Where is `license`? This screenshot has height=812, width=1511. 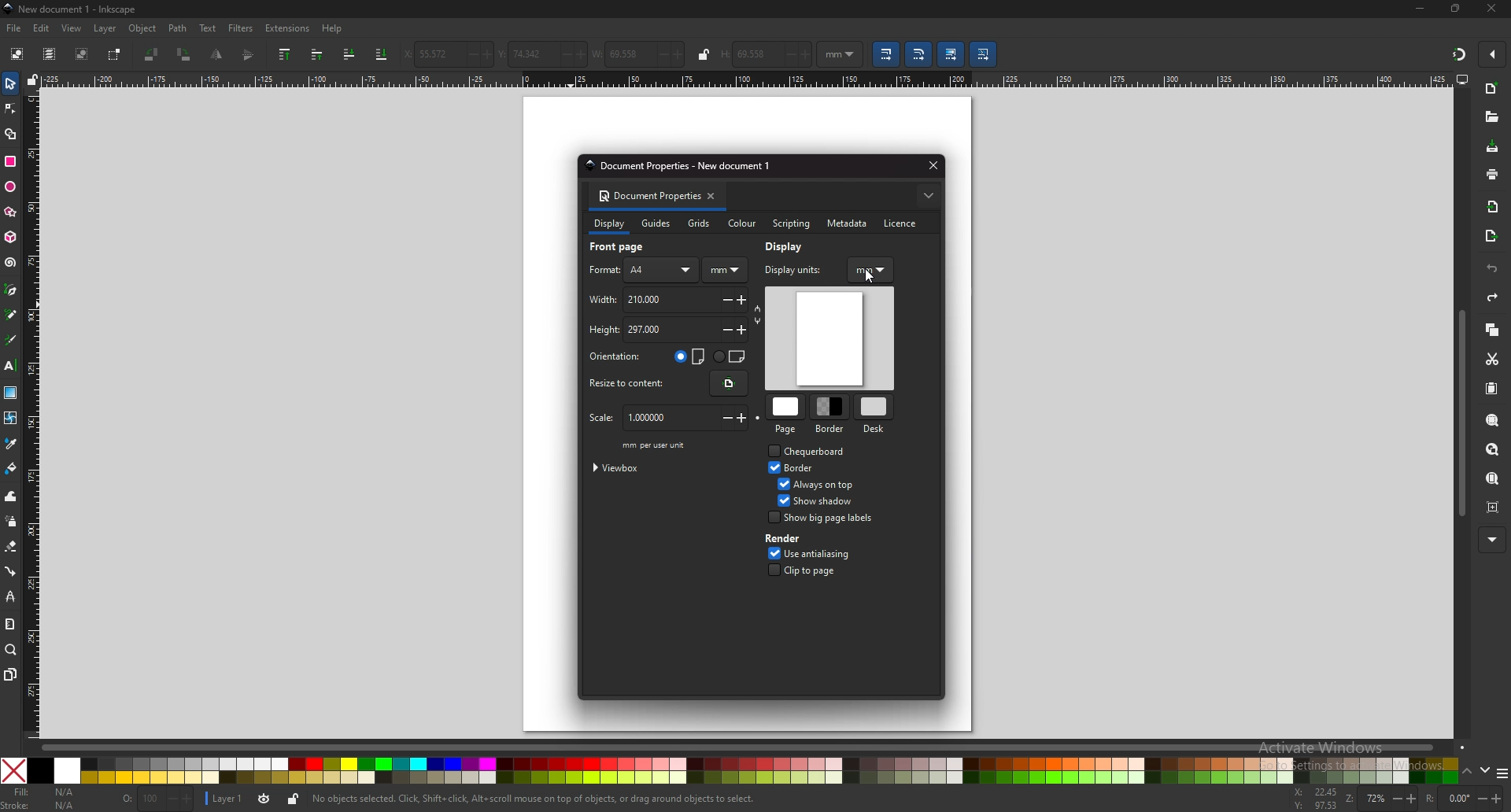 license is located at coordinates (904, 223).